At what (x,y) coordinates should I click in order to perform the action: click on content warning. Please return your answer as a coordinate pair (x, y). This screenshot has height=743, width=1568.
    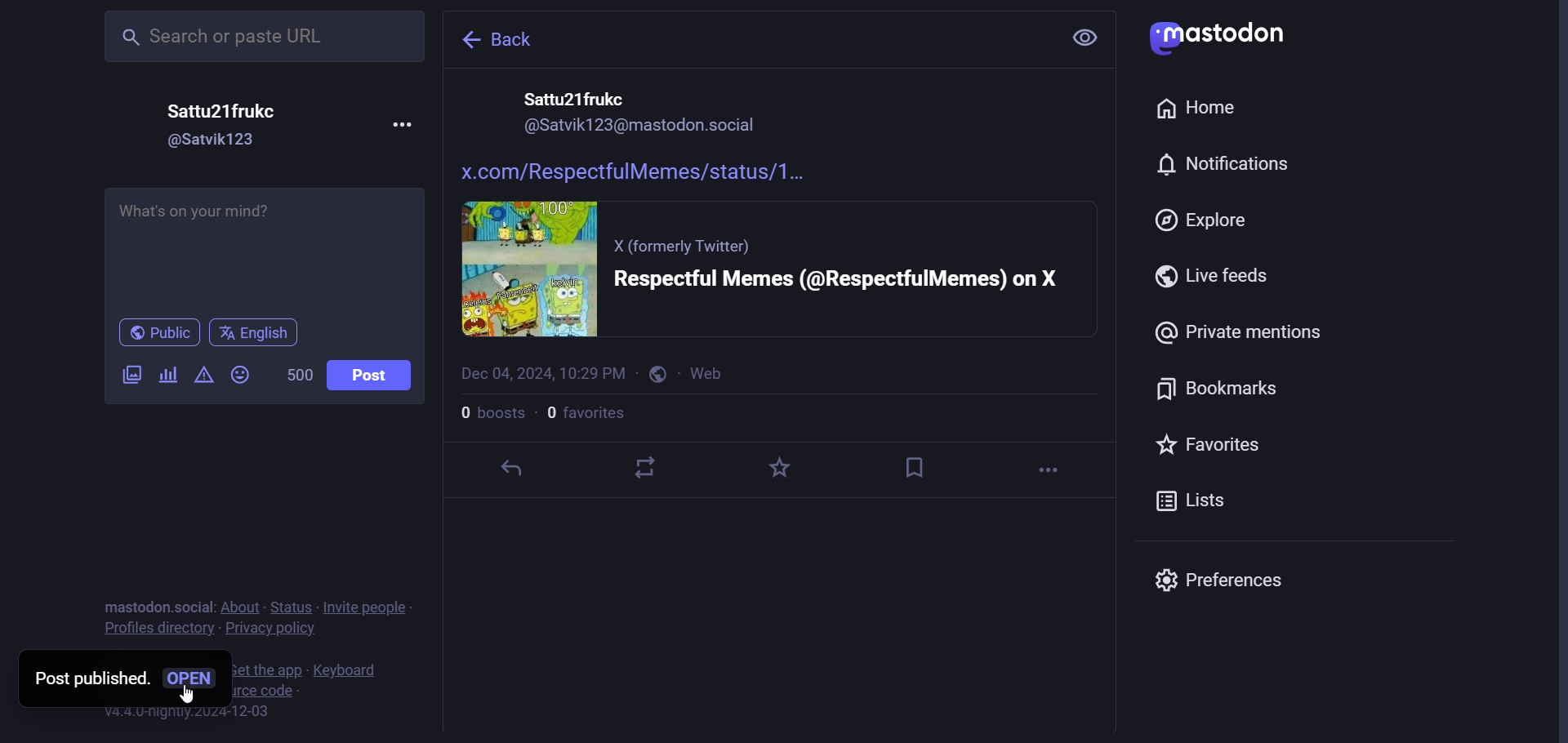
    Looking at the image, I should click on (201, 378).